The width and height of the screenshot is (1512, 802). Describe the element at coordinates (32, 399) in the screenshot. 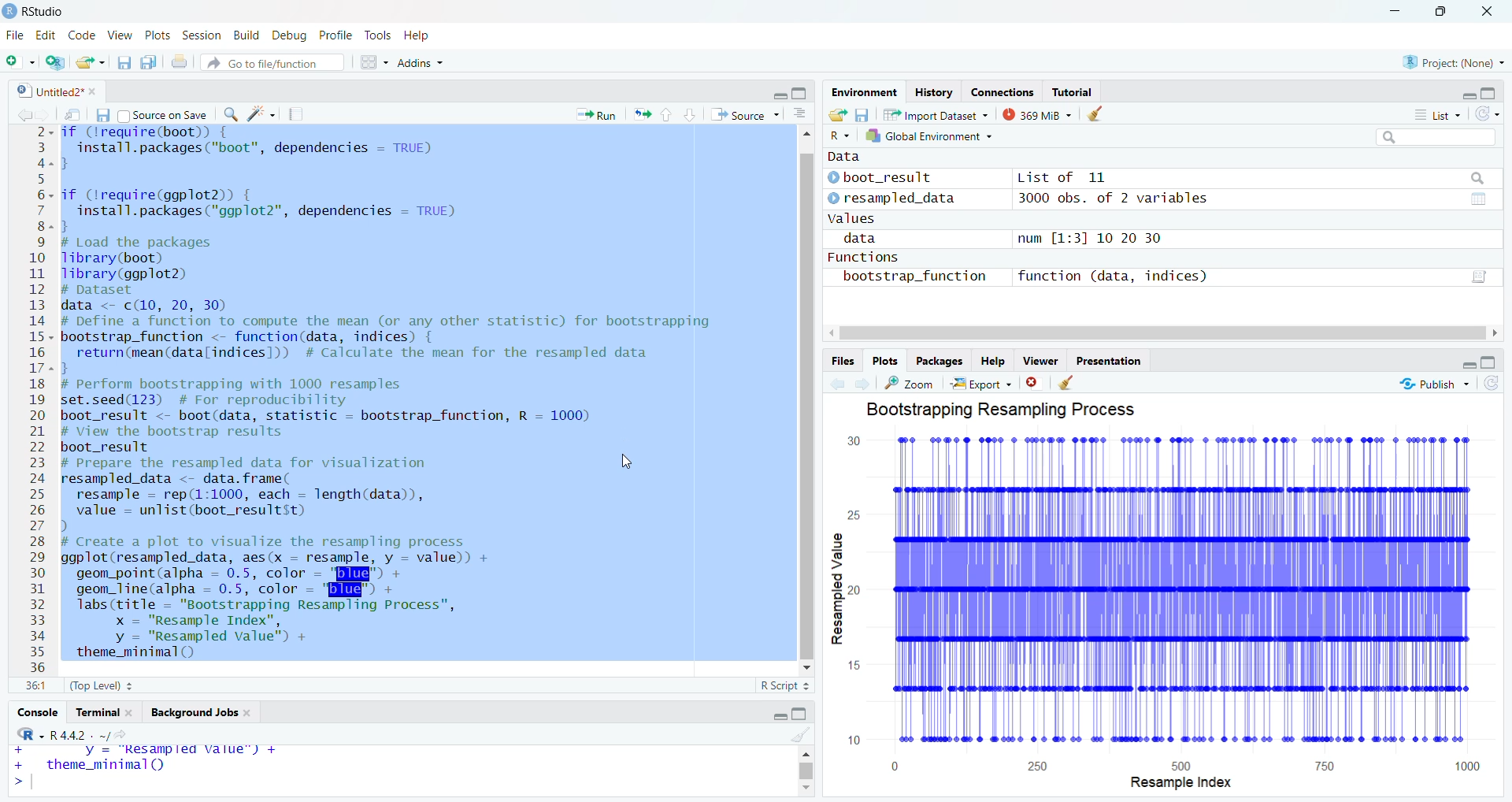

I see `23456789101112131415161718192021222324252627282930313233343536` at that location.